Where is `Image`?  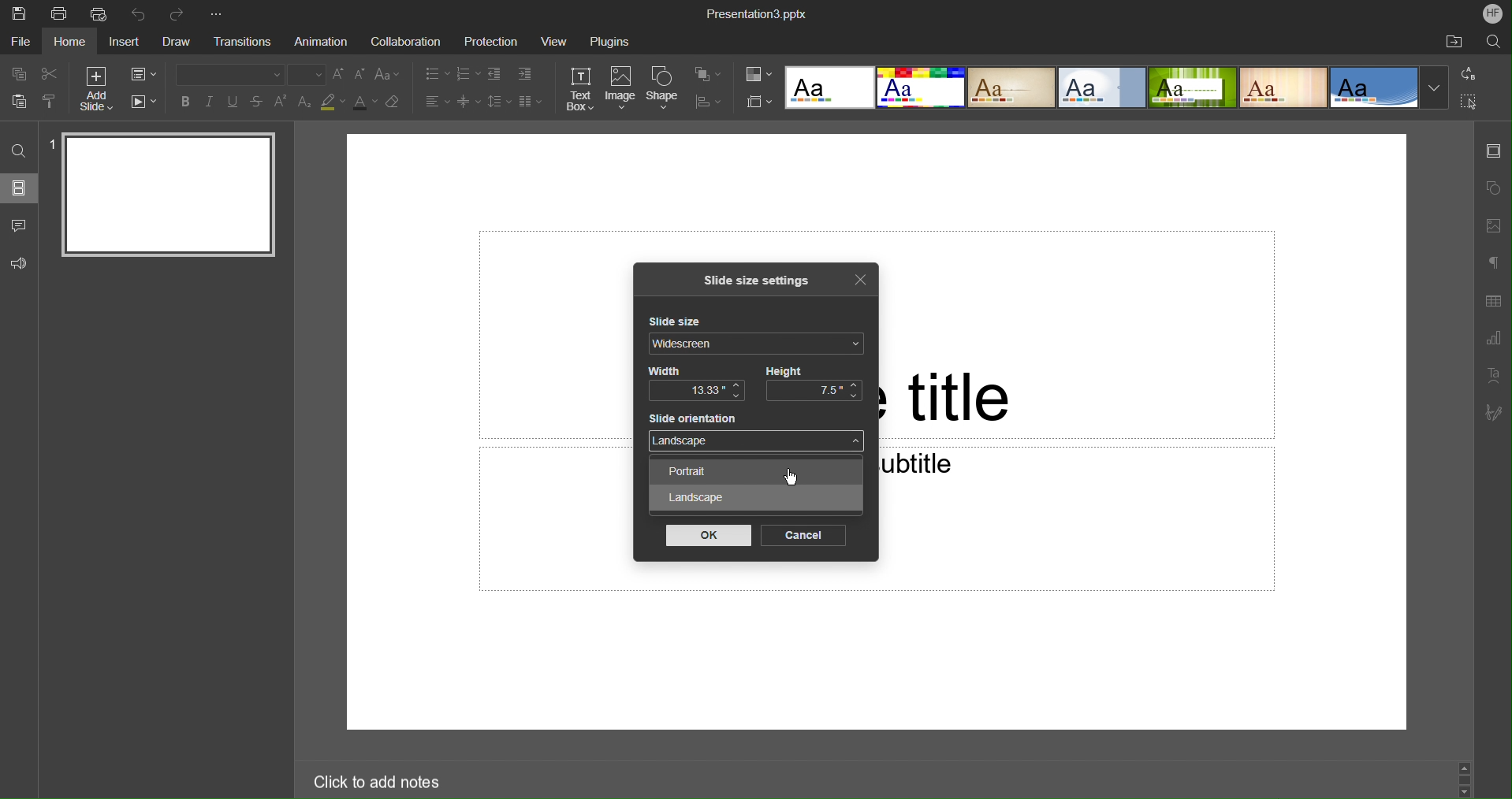 Image is located at coordinates (621, 89).